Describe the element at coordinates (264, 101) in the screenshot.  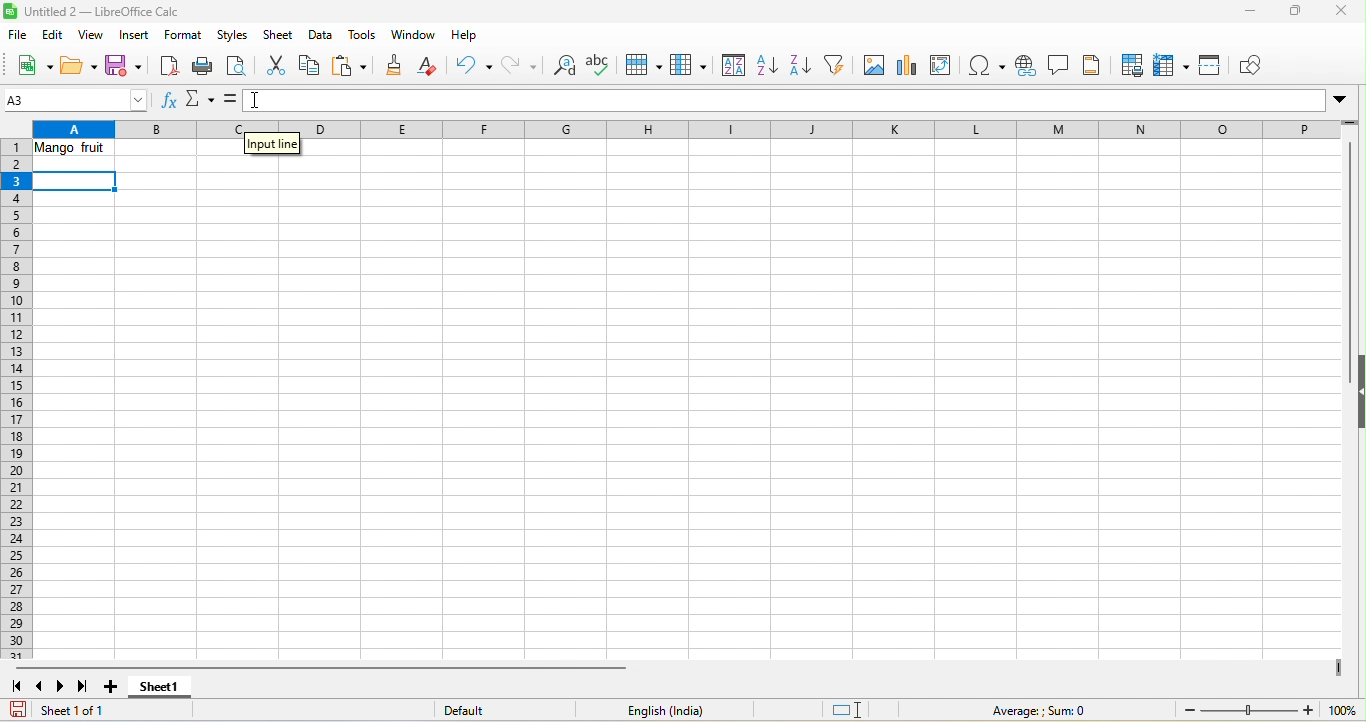
I see `cursor movement` at that location.